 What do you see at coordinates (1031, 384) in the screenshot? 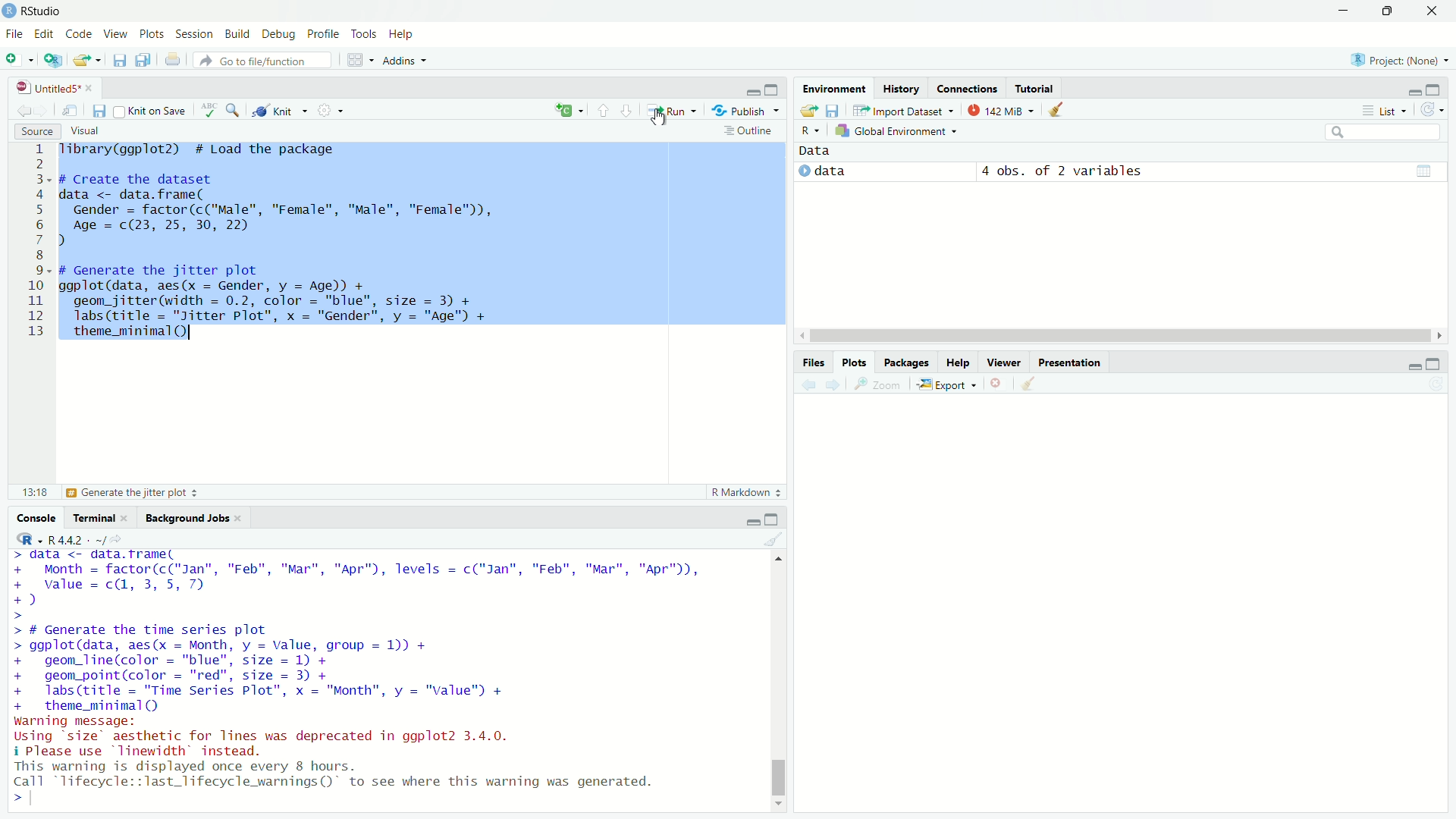
I see `clear all plots` at bounding box center [1031, 384].